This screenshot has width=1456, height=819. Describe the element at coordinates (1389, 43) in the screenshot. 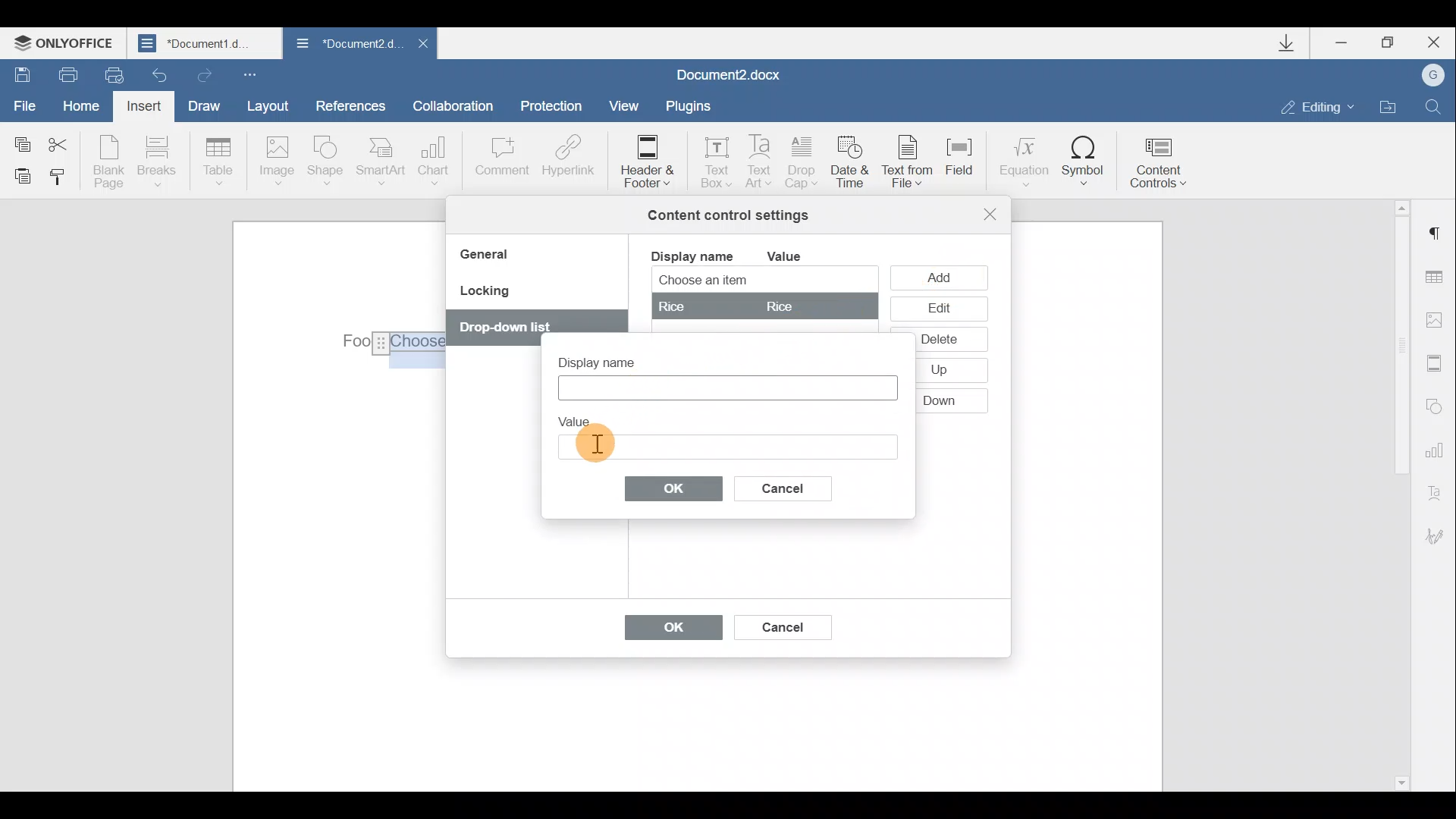

I see `Maximize` at that location.